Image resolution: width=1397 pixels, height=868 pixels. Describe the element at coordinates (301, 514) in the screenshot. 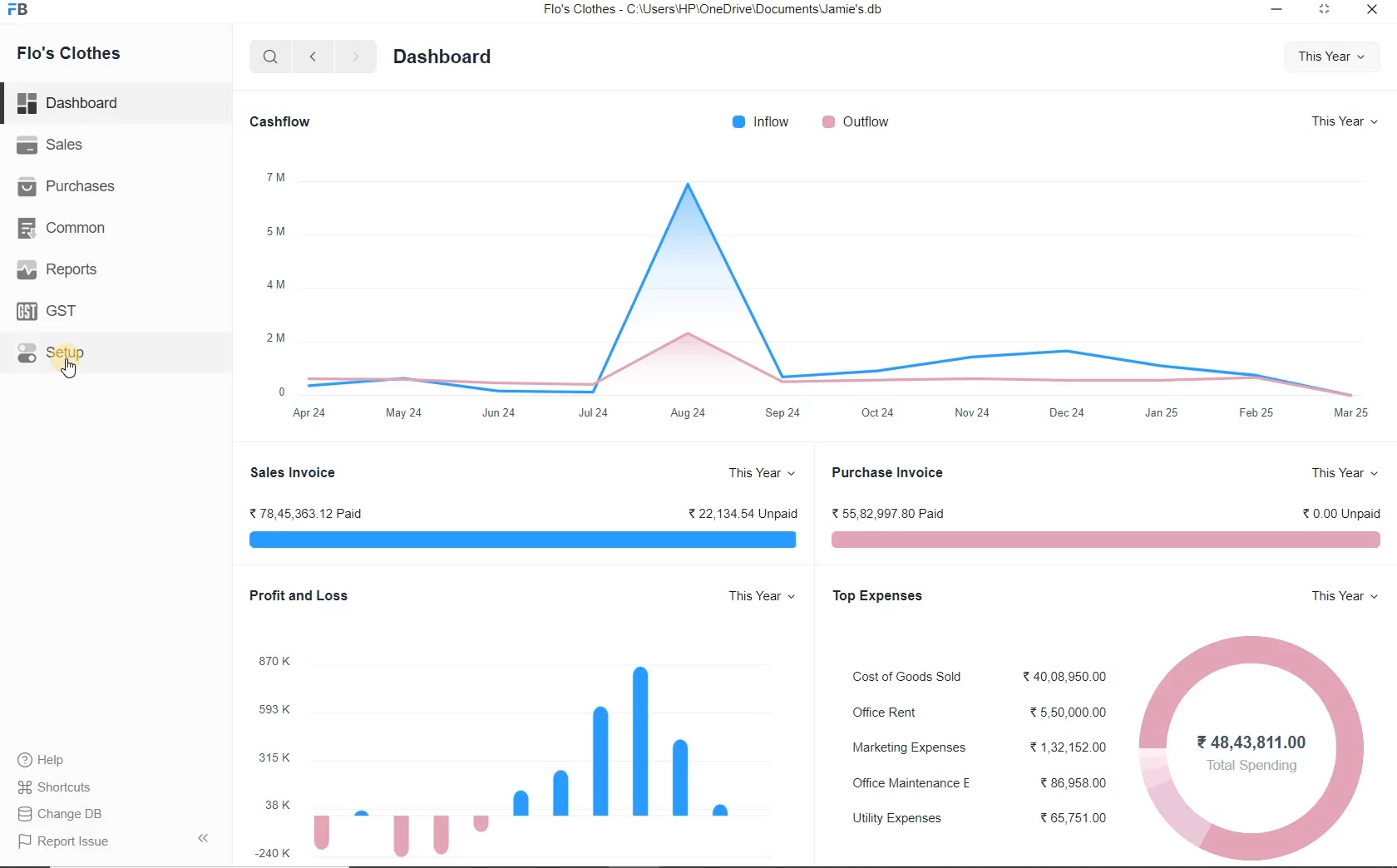

I see `78,45,363.12 Paid` at that location.